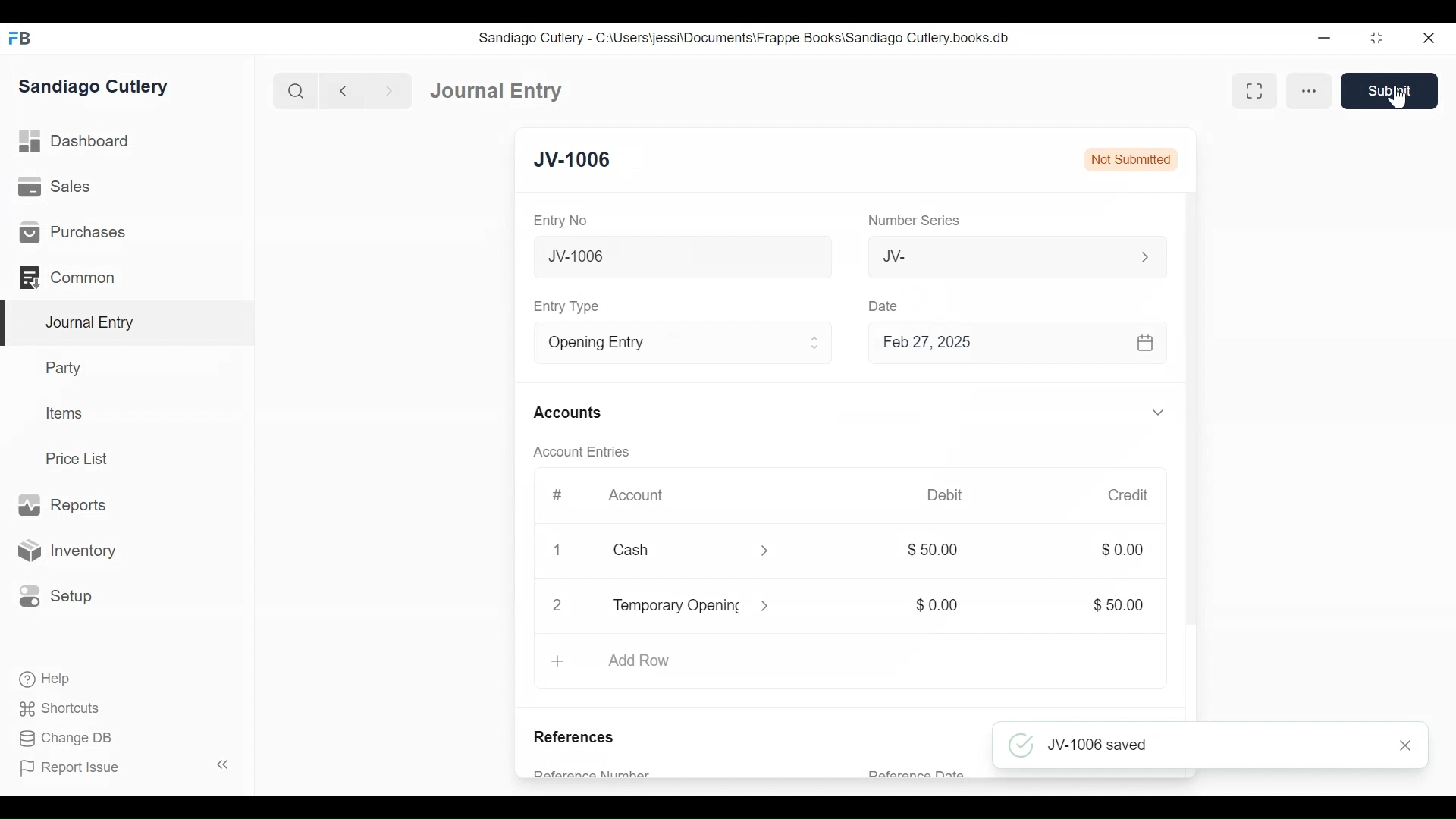 Image resolution: width=1456 pixels, height=819 pixels. What do you see at coordinates (1193, 439) in the screenshot?
I see `Vertical Scroll bar` at bounding box center [1193, 439].